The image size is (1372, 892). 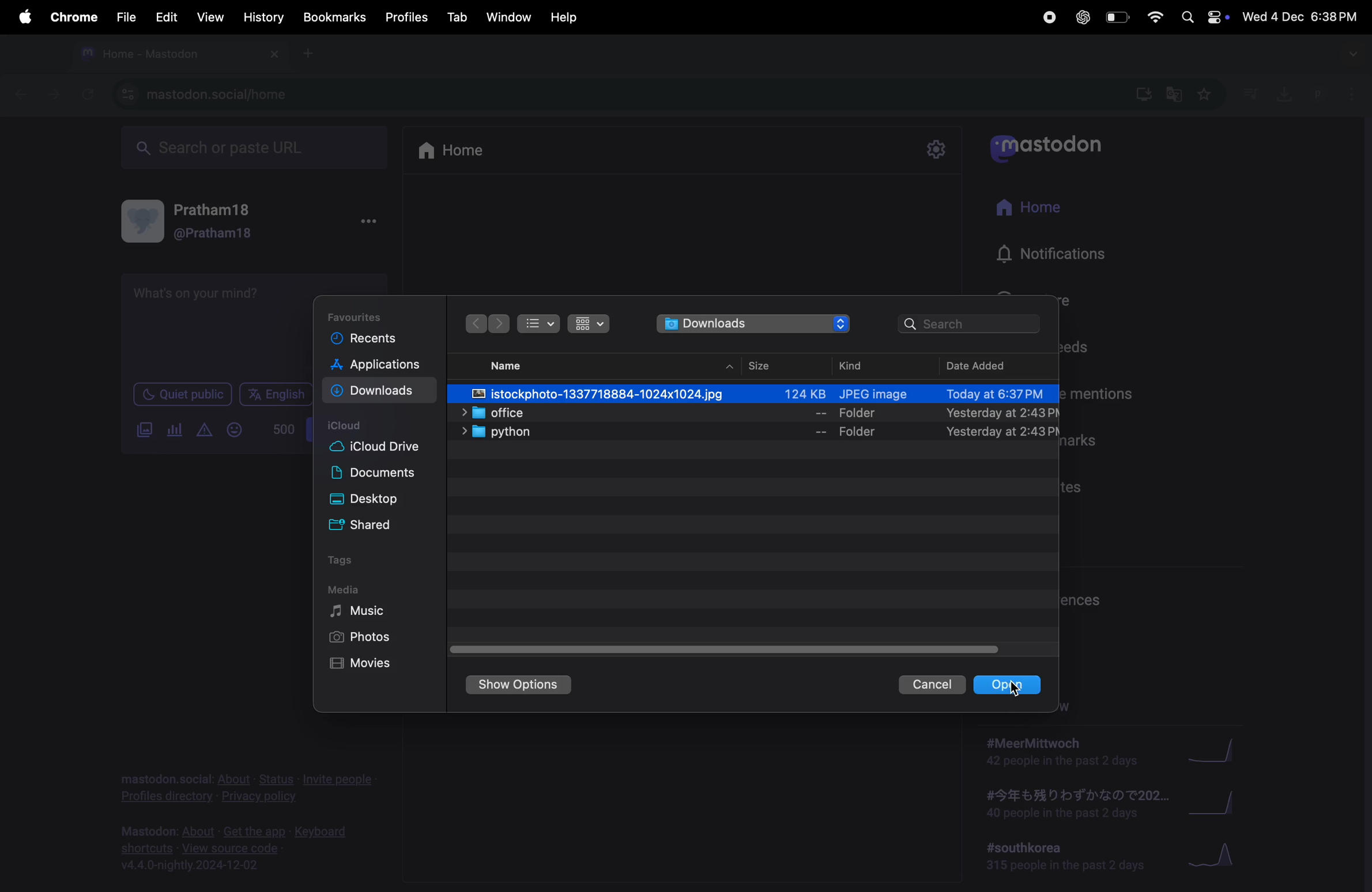 I want to click on mastodon tab, so click(x=174, y=55).